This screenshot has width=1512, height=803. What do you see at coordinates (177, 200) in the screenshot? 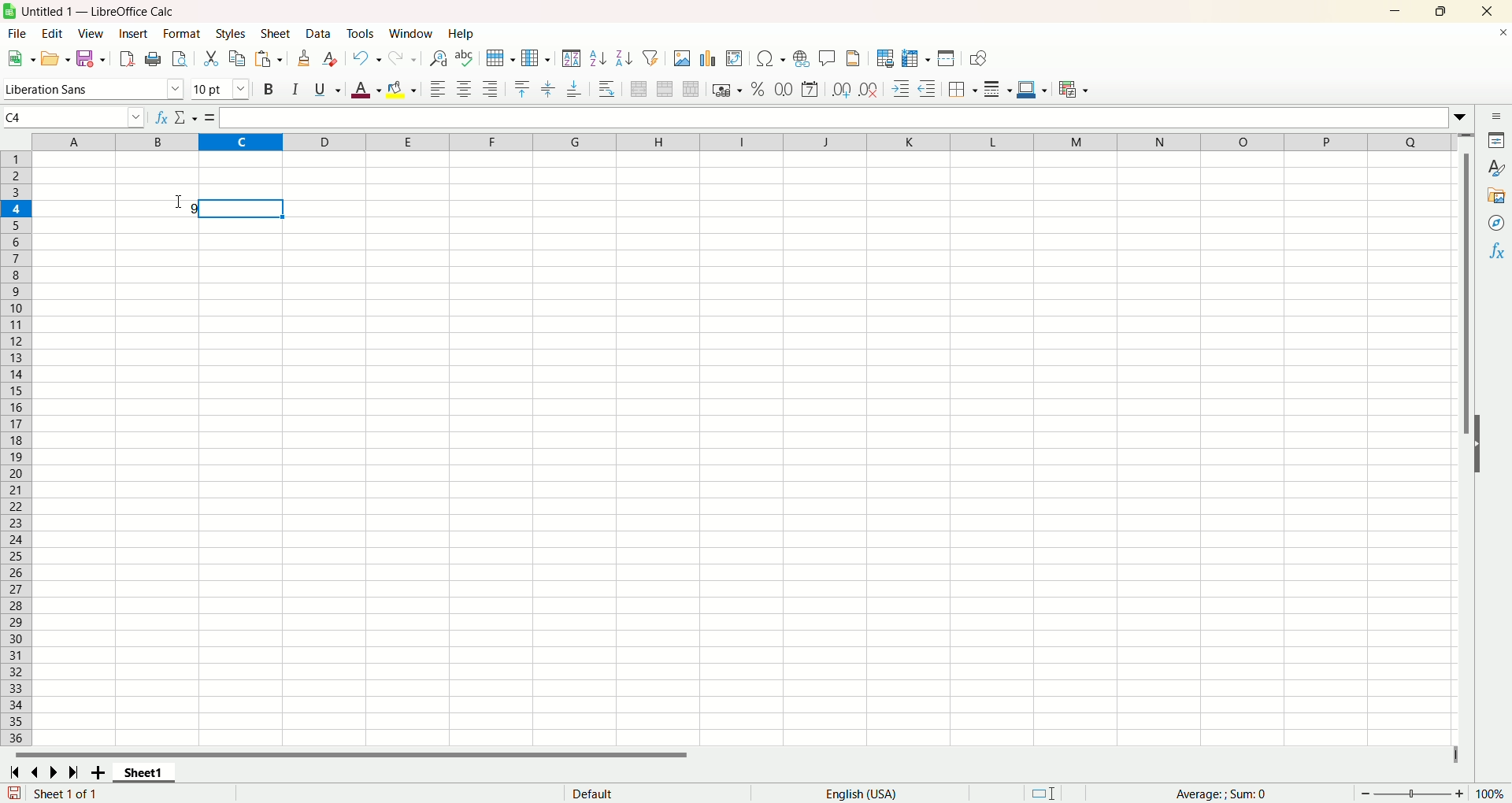
I see `cursor` at bounding box center [177, 200].